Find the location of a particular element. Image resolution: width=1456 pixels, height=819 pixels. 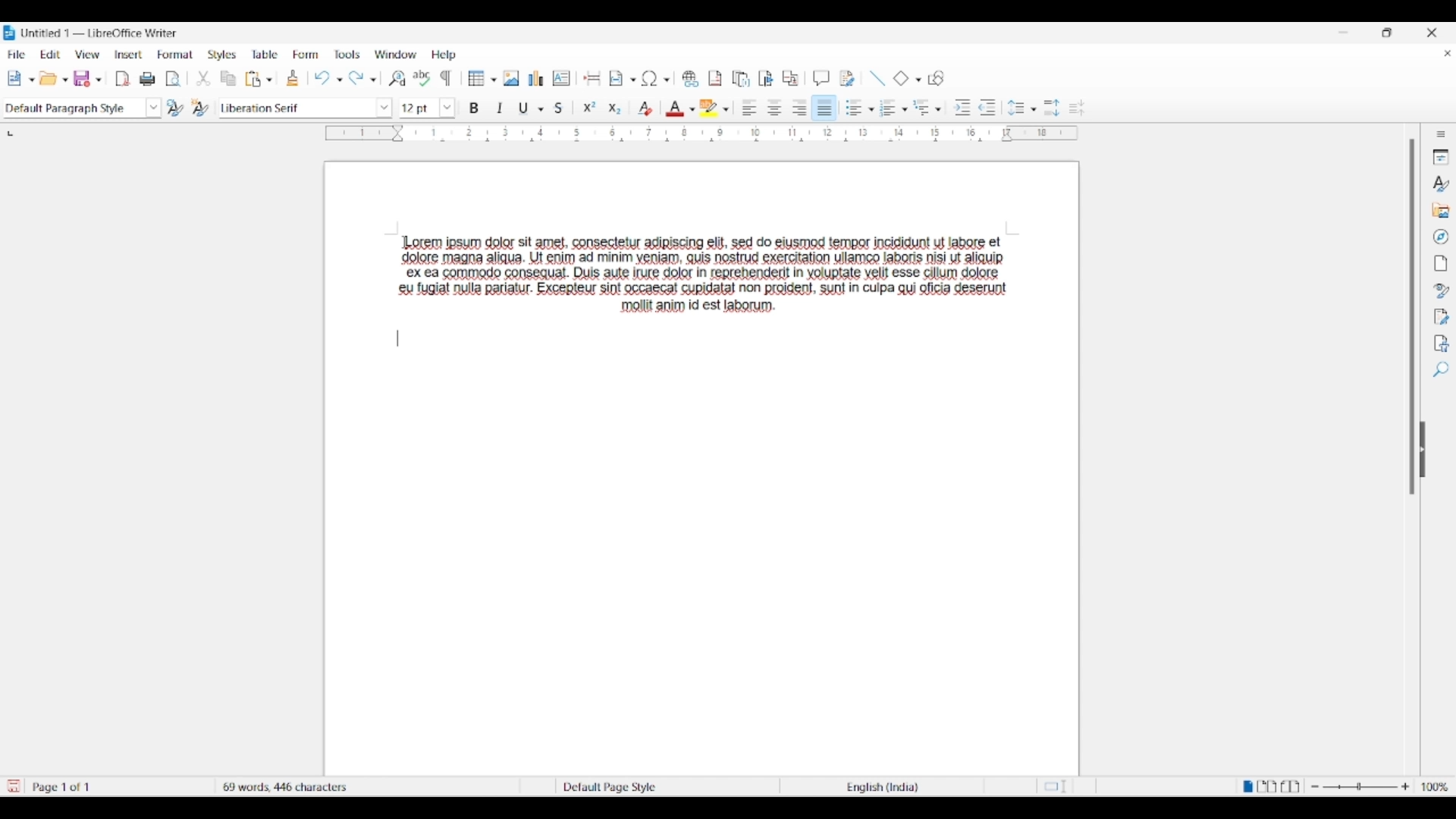

Subscript is located at coordinates (615, 109).